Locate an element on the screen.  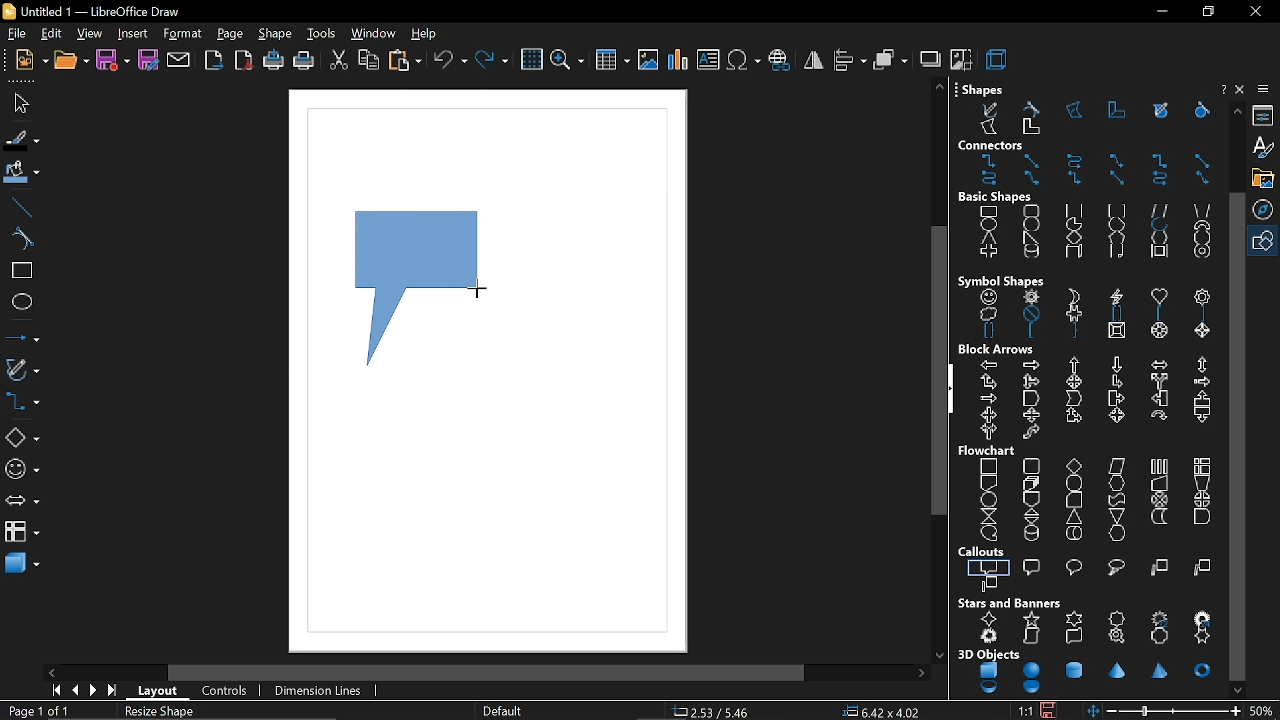
polygon 45 filled is located at coordinates (1030, 129).